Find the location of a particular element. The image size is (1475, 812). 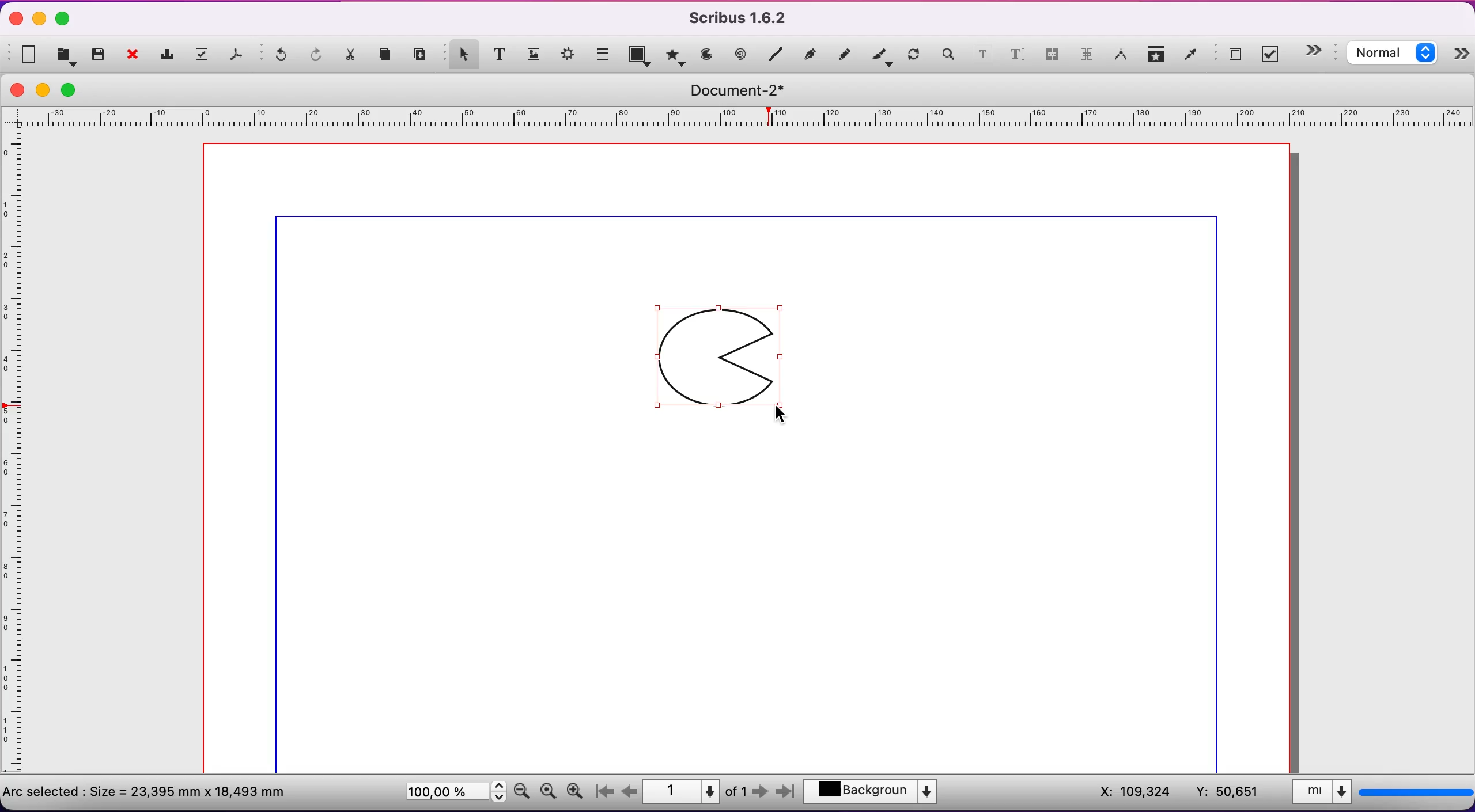

insert pdf press button is located at coordinates (1231, 55).